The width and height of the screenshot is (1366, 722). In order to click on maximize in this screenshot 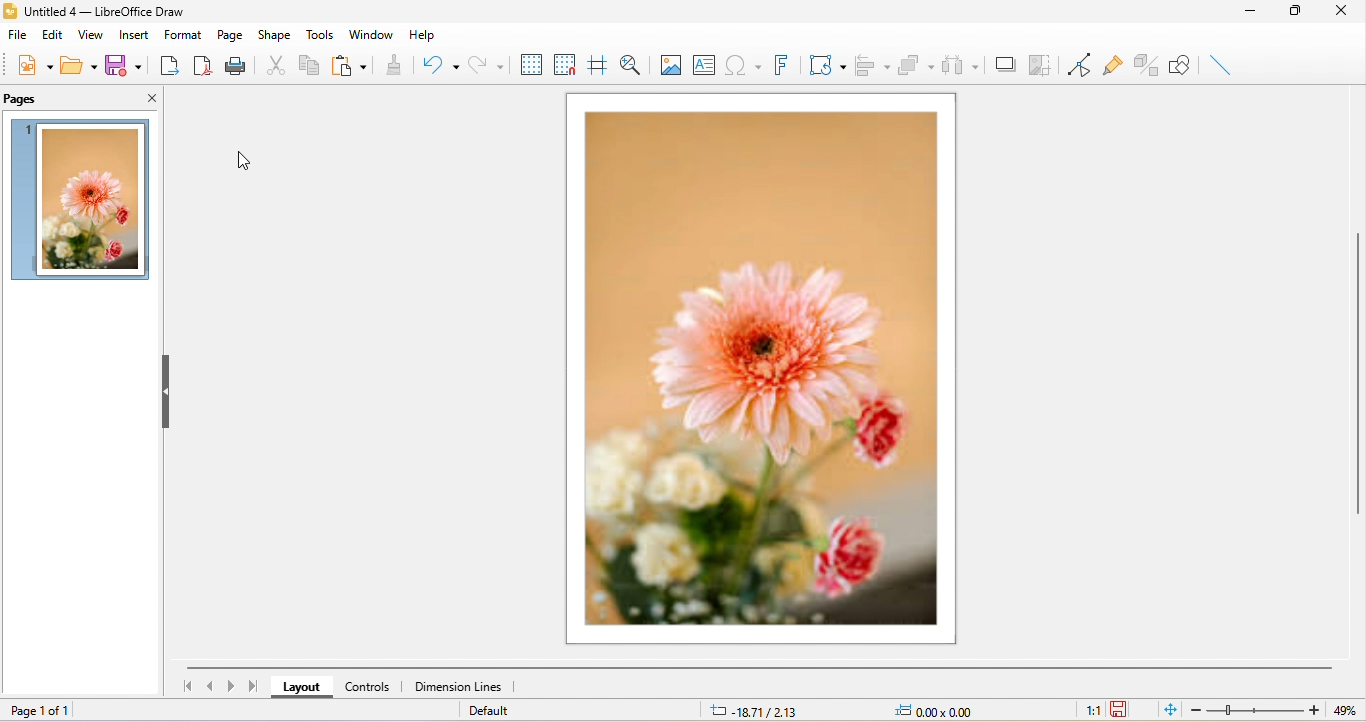, I will do `click(1299, 13)`.